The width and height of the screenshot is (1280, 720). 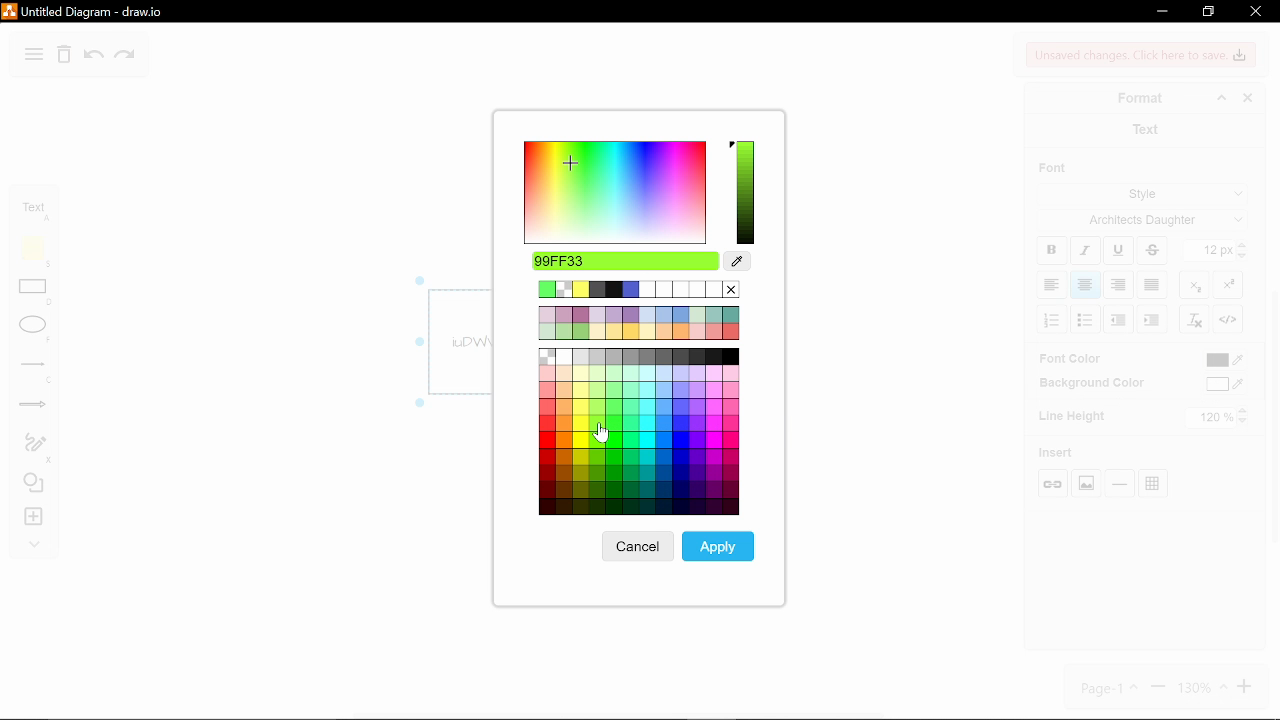 What do you see at coordinates (124, 56) in the screenshot?
I see `redo` at bounding box center [124, 56].